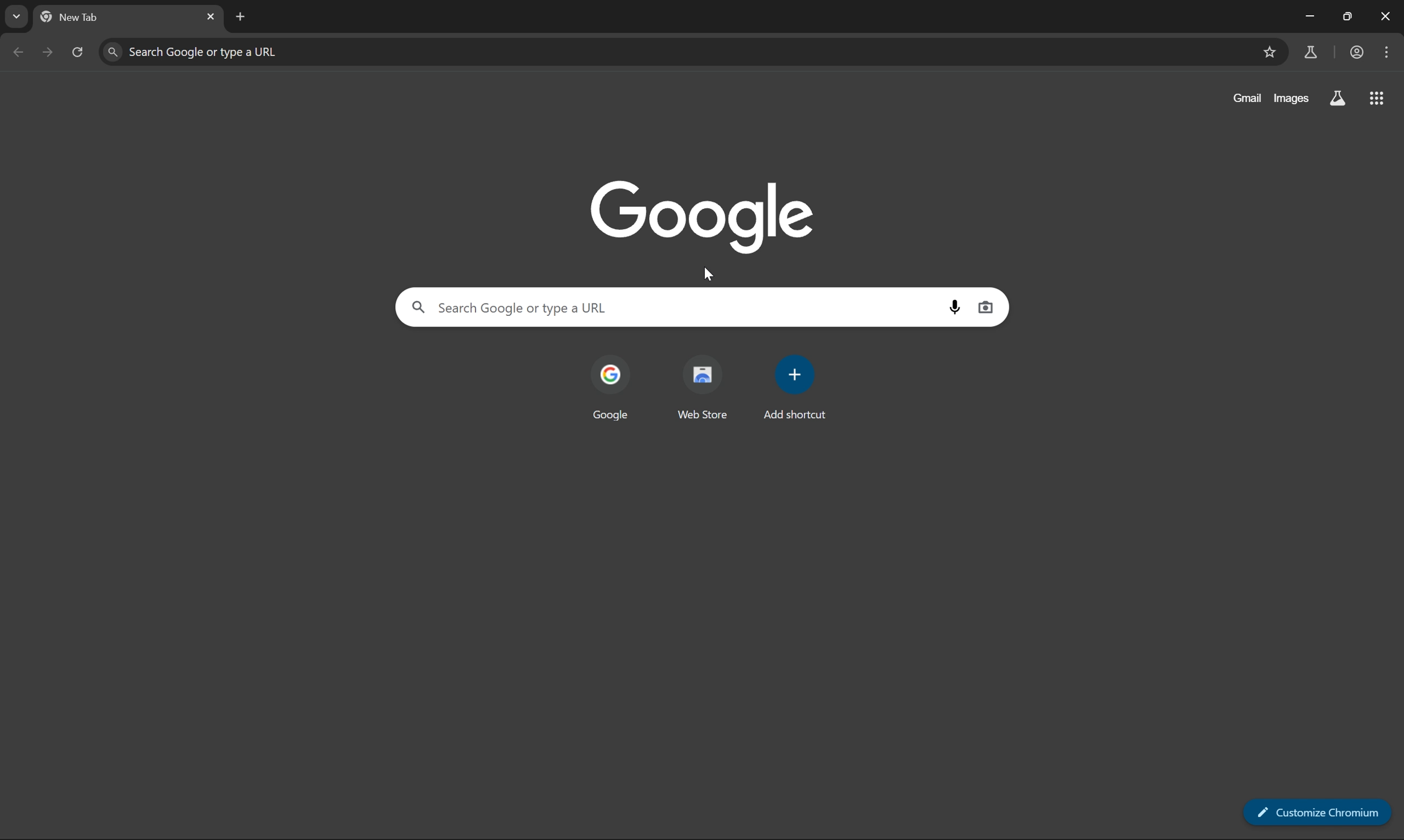 The width and height of the screenshot is (1404, 840). Describe the element at coordinates (613, 391) in the screenshot. I see `google` at that location.